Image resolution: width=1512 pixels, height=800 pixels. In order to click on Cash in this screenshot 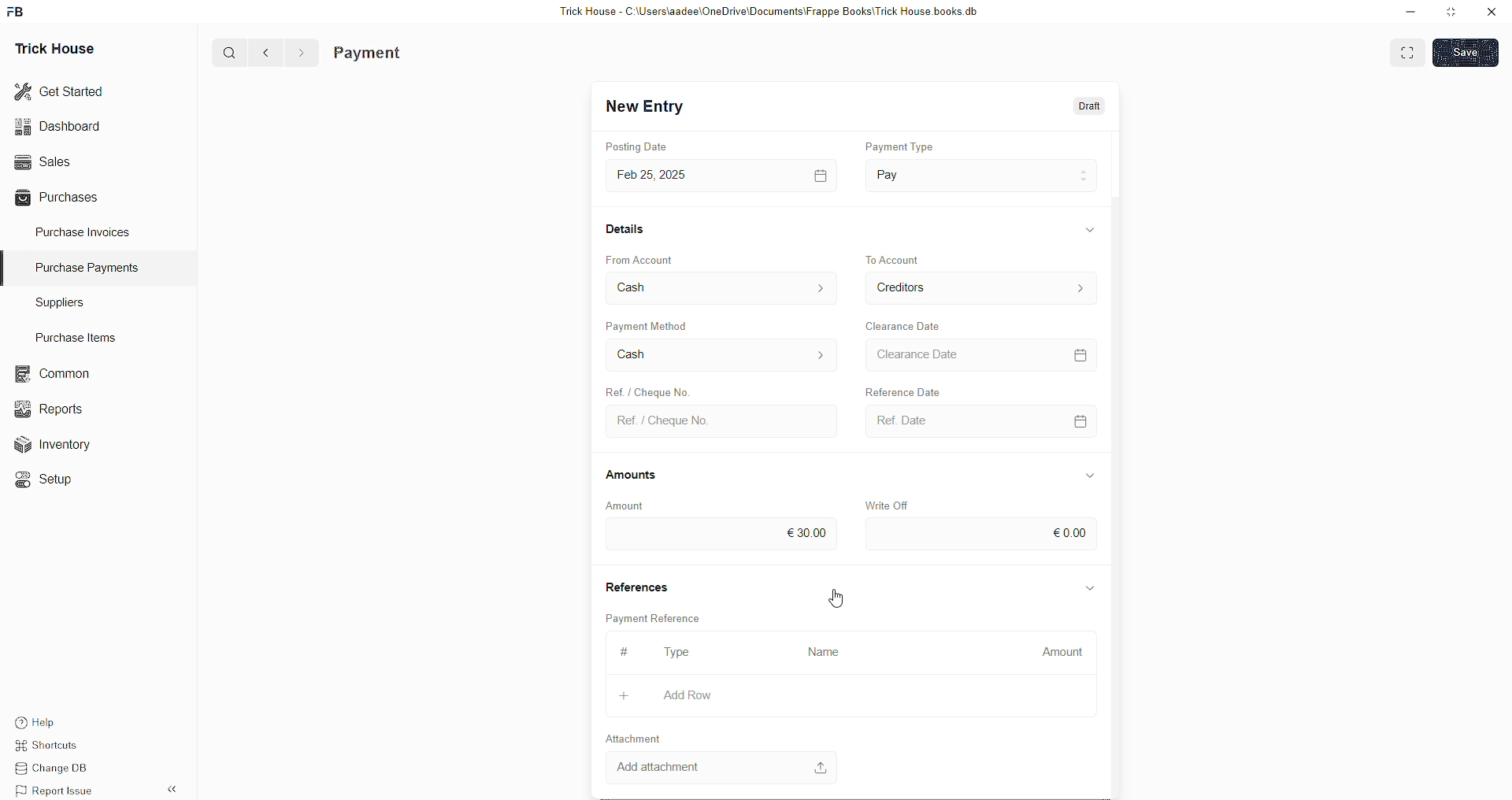, I will do `click(624, 353)`.